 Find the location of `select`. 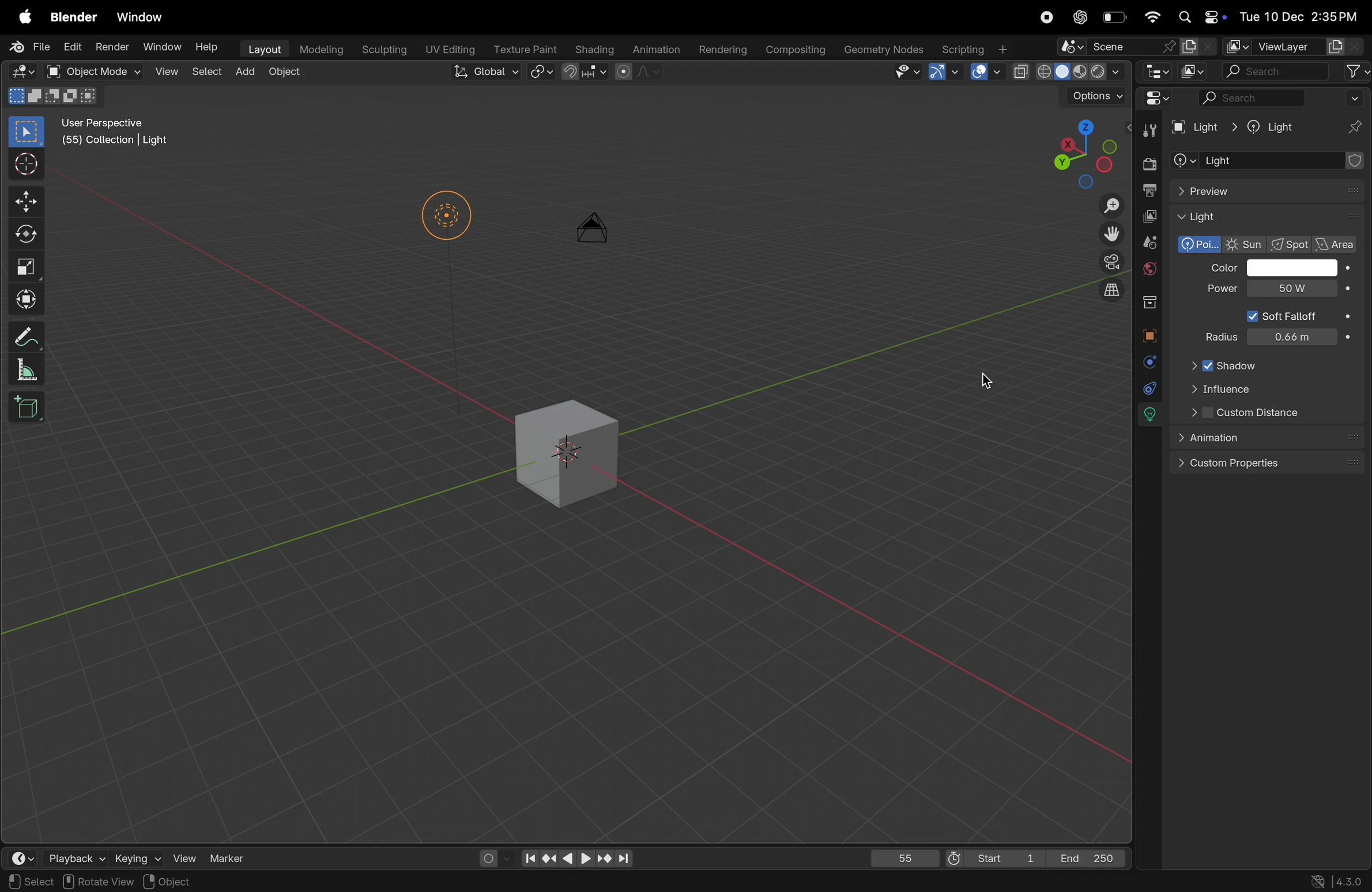

select is located at coordinates (28, 882).